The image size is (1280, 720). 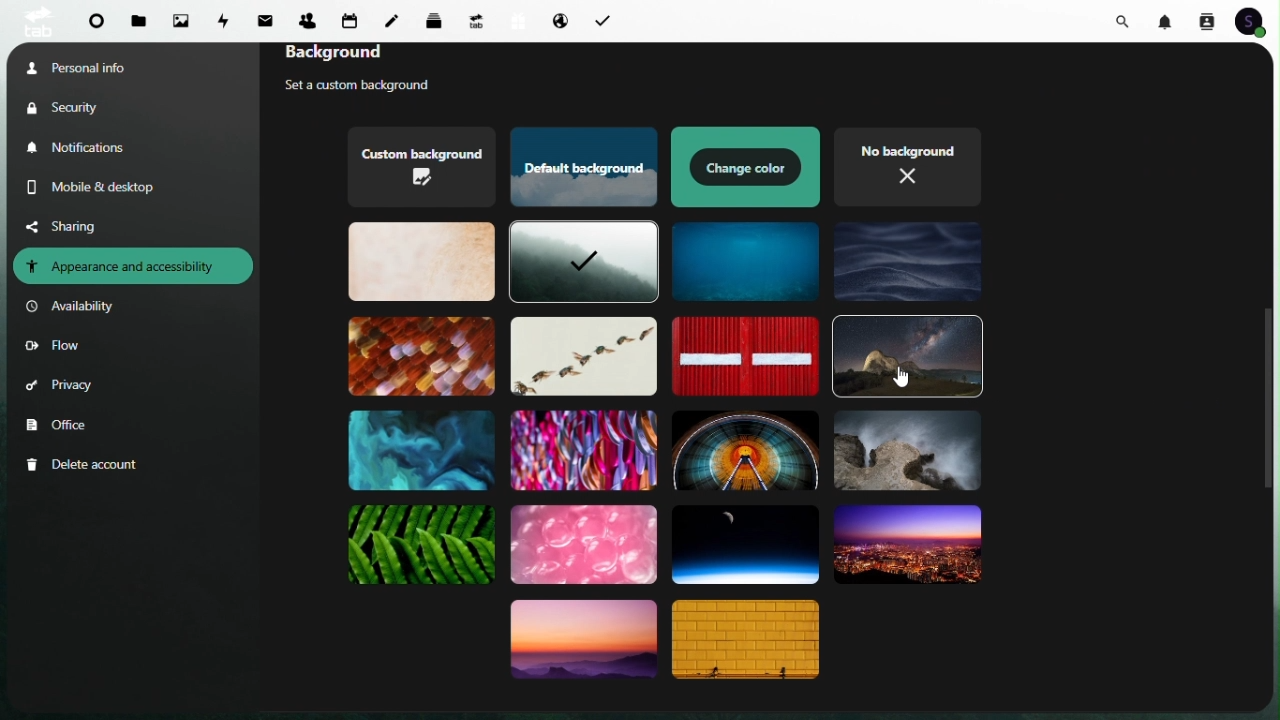 What do you see at coordinates (581, 356) in the screenshot?
I see `Themes` at bounding box center [581, 356].